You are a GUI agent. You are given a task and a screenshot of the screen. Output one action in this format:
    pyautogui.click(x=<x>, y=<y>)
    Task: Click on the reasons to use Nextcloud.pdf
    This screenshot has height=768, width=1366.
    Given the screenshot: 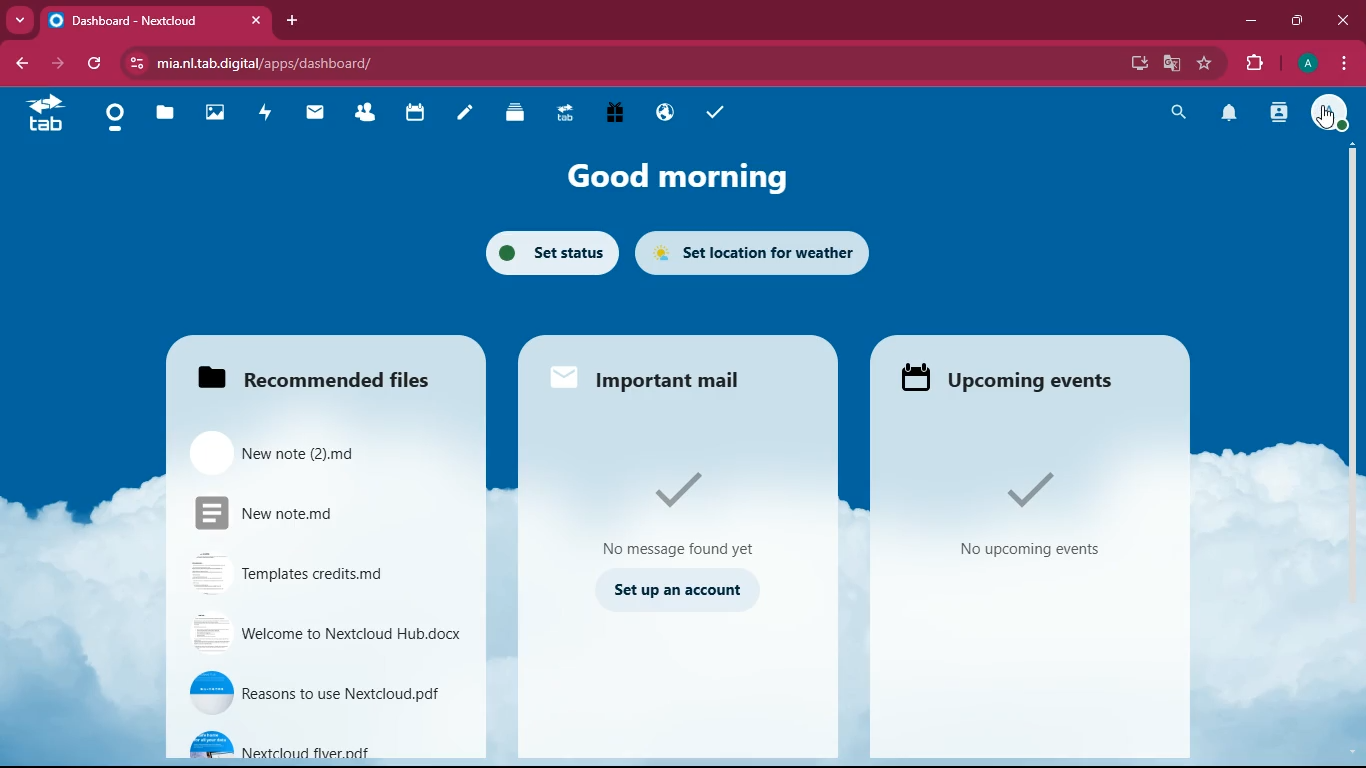 What is the action you would take?
    pyautogui.click(x=322, y=690)
    